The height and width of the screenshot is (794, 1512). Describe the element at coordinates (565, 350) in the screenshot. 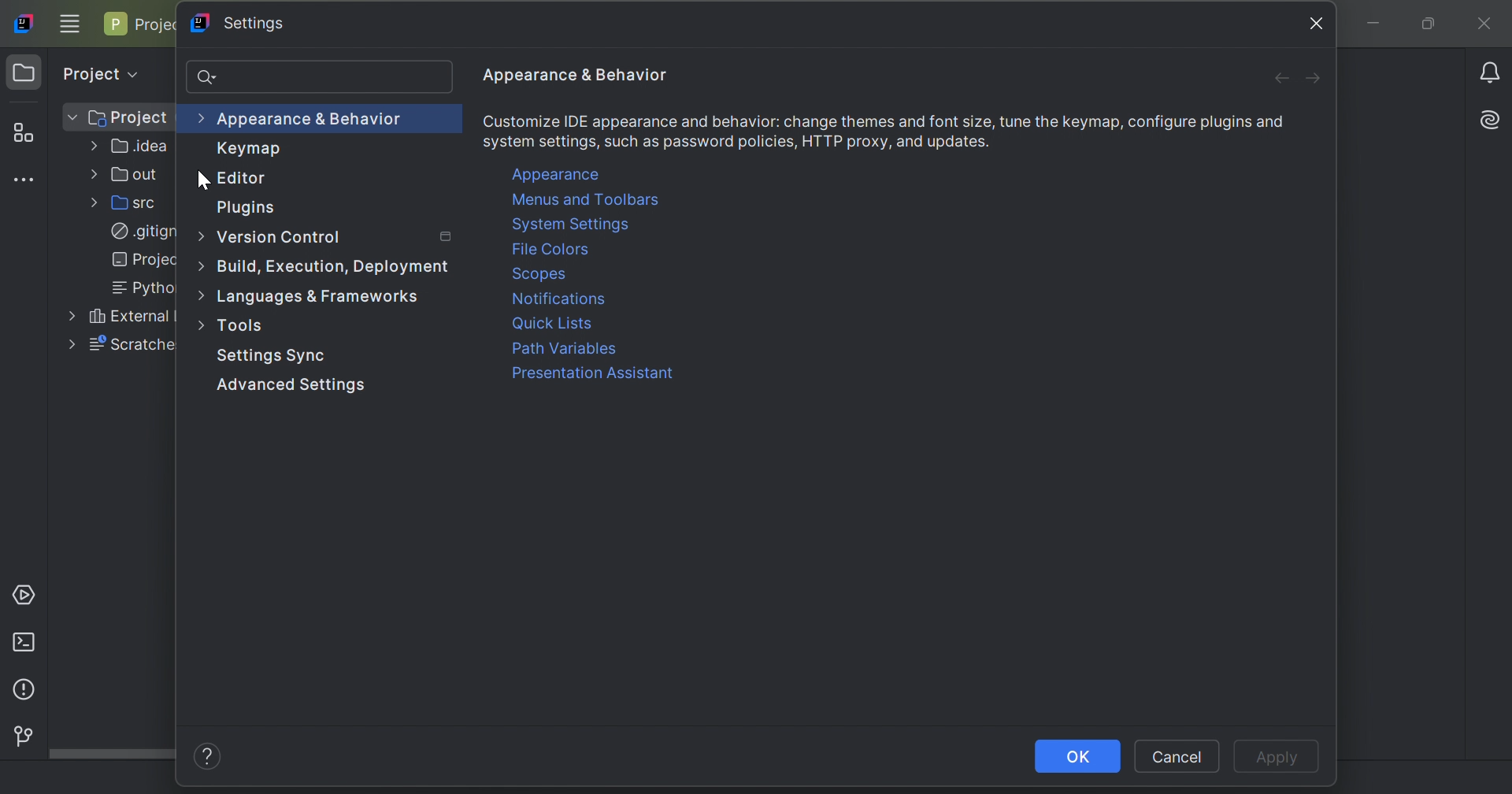

I see `Path variables` at that location.